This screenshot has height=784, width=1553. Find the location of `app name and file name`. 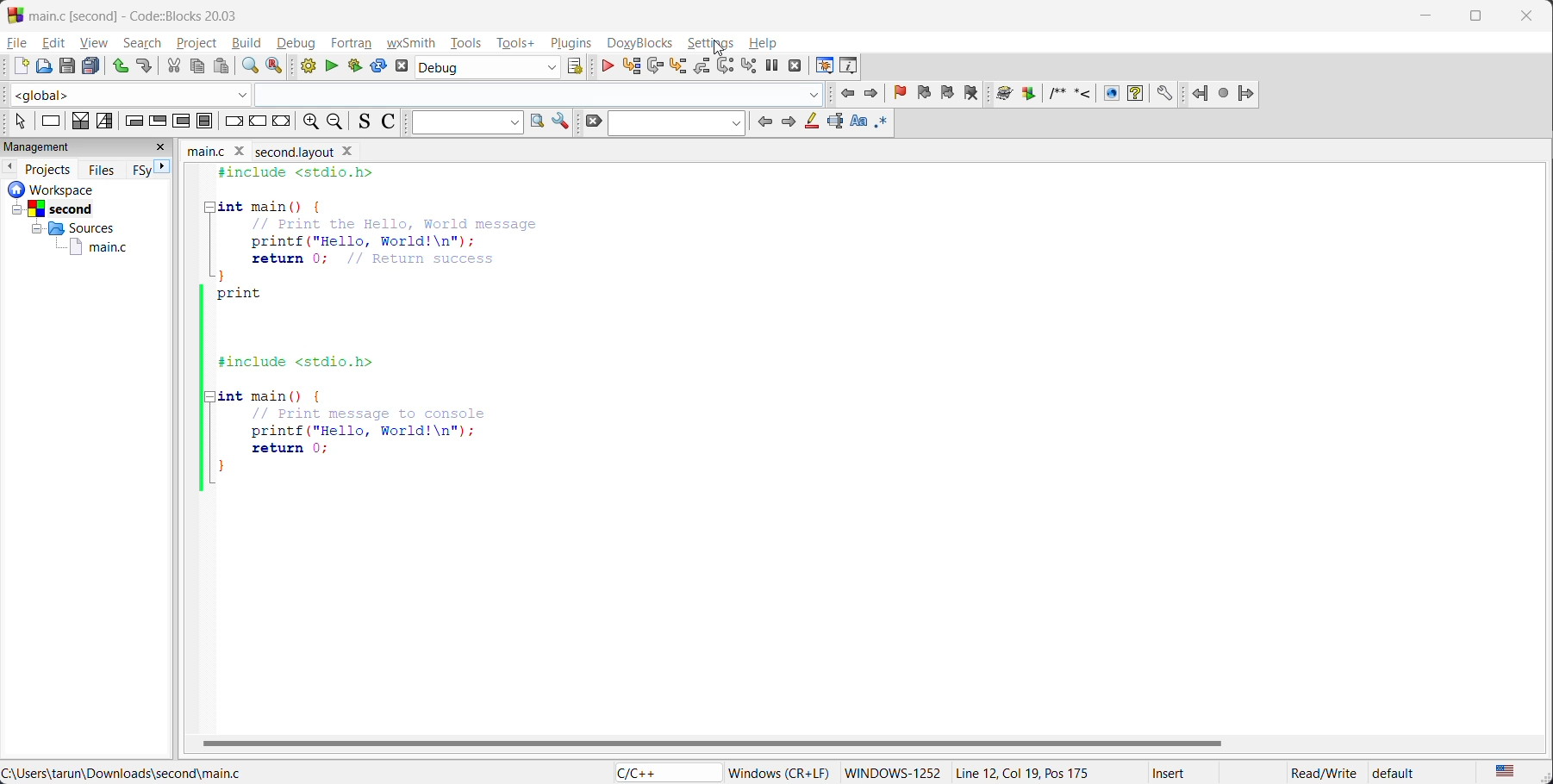

app name and file name is located at coordinates (169, 15).